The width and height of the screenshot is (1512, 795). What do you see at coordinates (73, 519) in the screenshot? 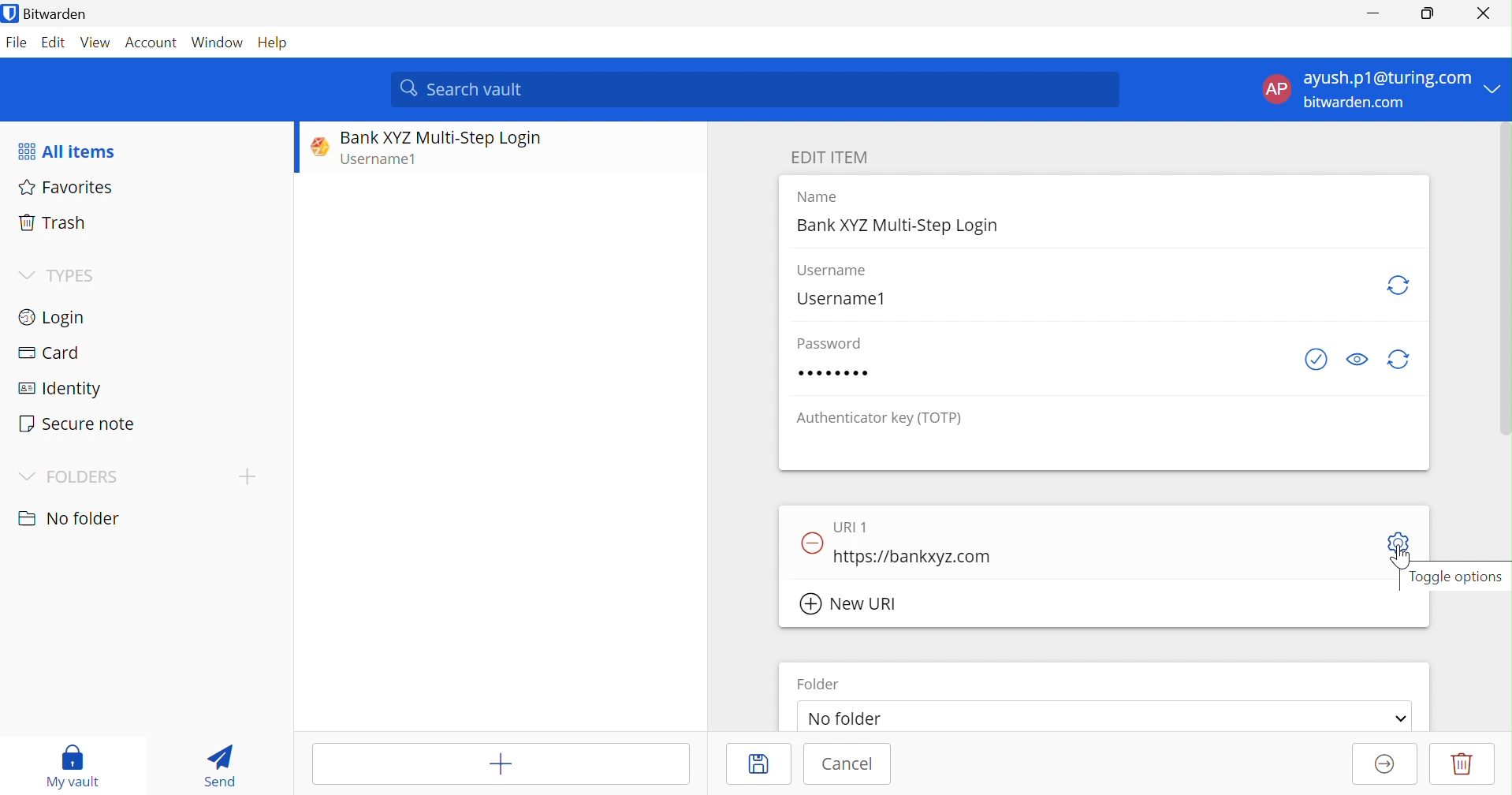
I see `No folder` at bounding box center [73, 519].